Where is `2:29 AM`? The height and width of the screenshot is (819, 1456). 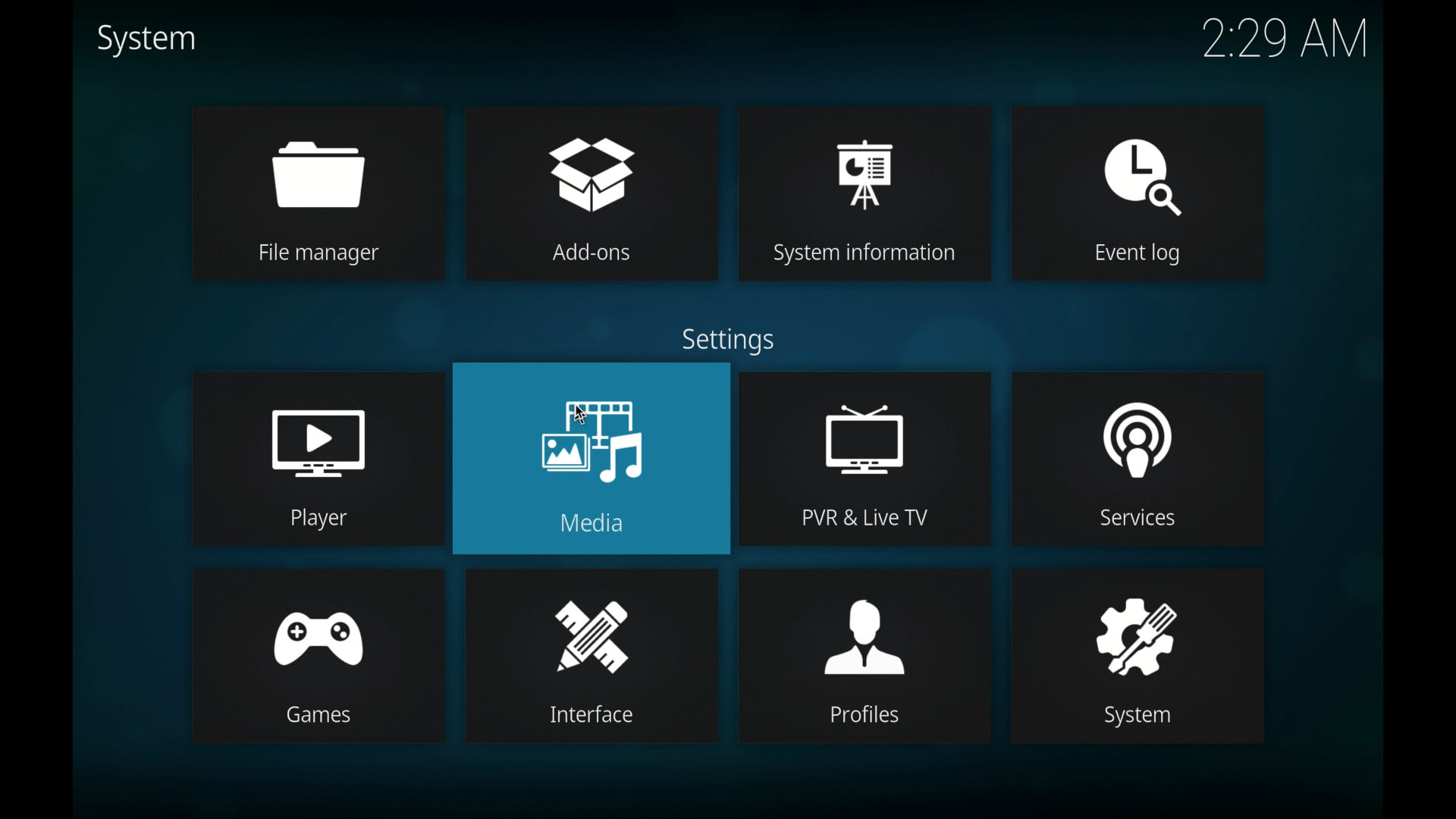 2:29 AM is located at coordinates (1285, 44).